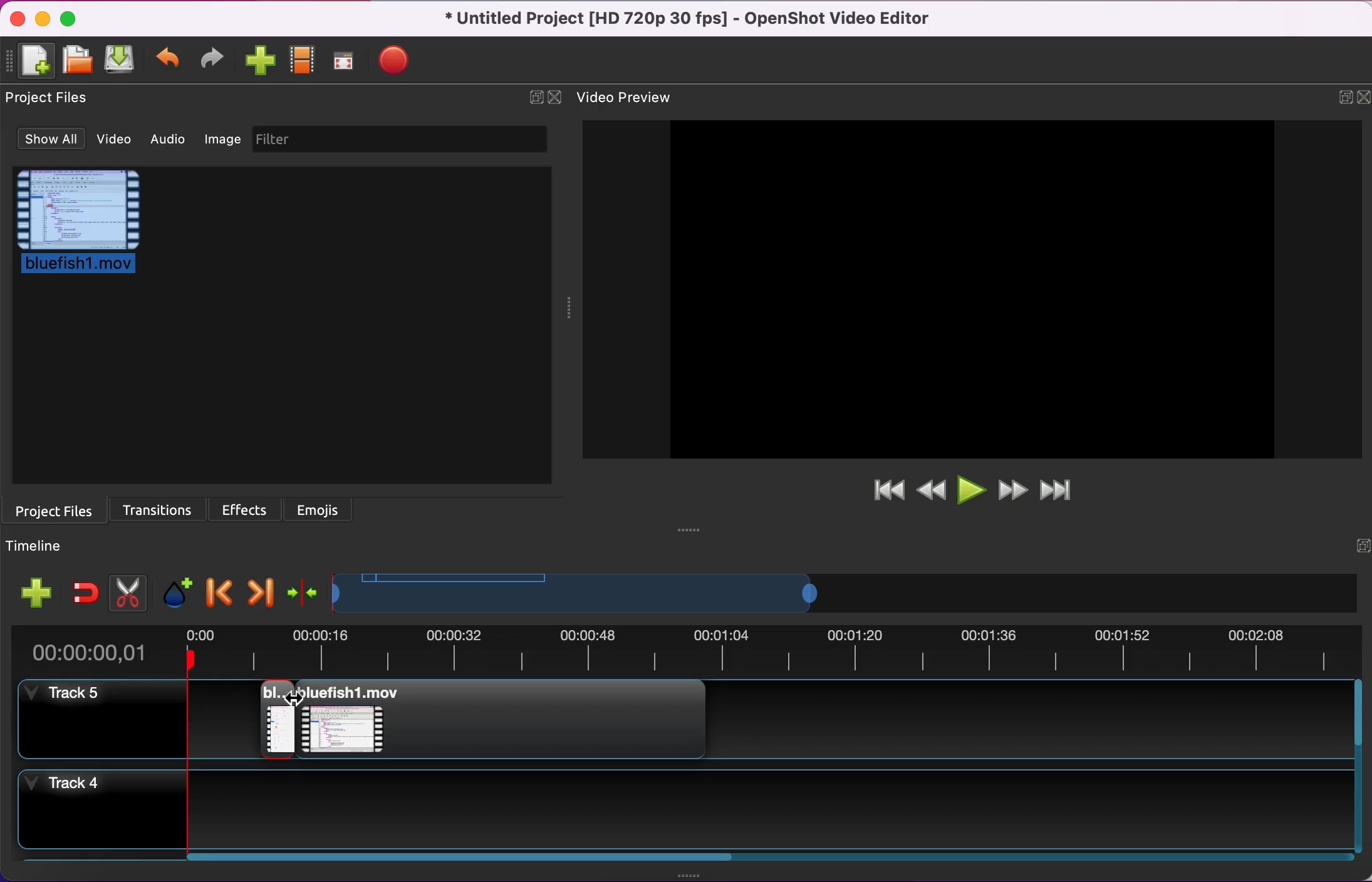 This screenshot has width=1372, height=882. I want to click on play, so click(970, 490).